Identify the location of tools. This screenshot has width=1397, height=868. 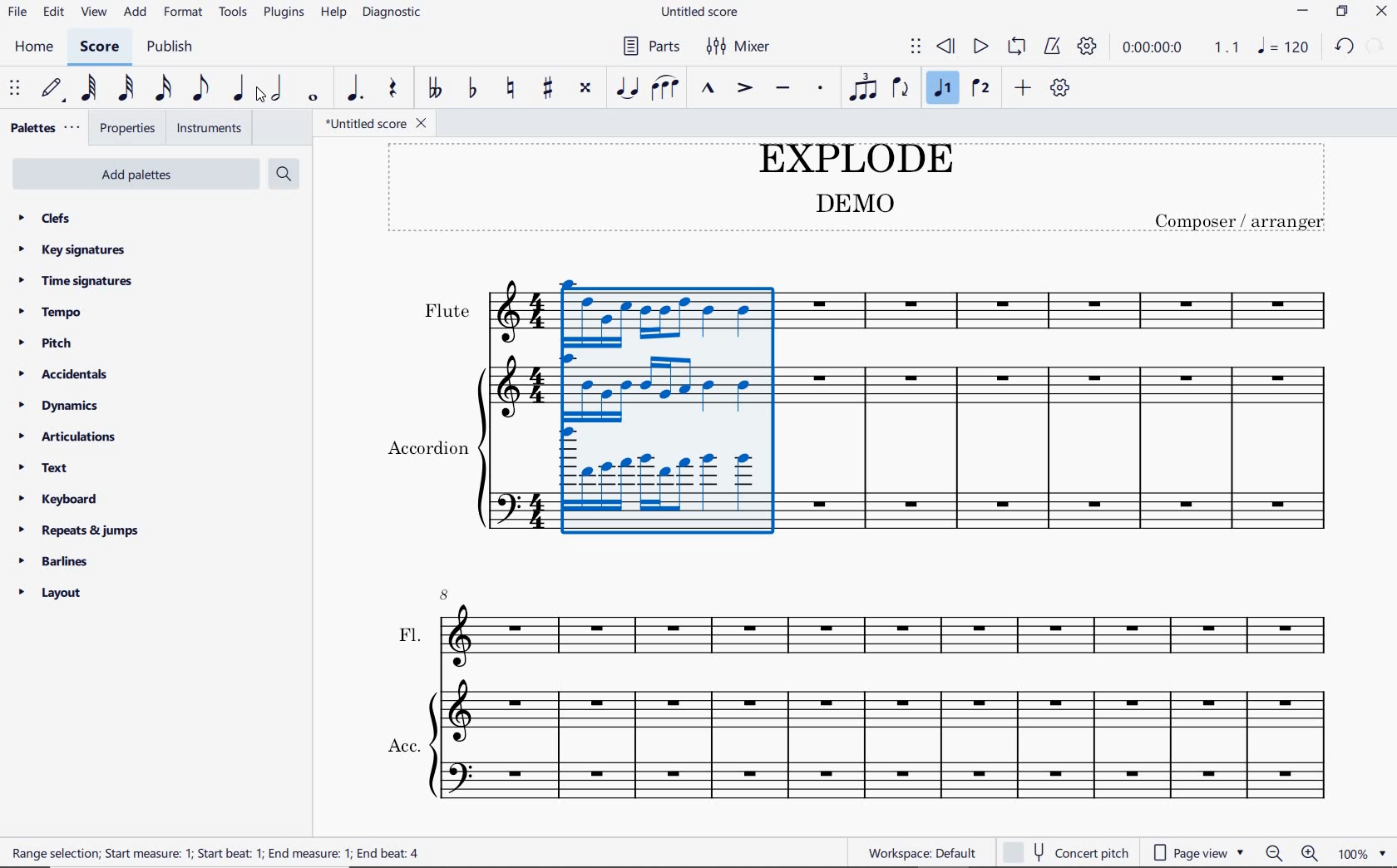
(236, 12).